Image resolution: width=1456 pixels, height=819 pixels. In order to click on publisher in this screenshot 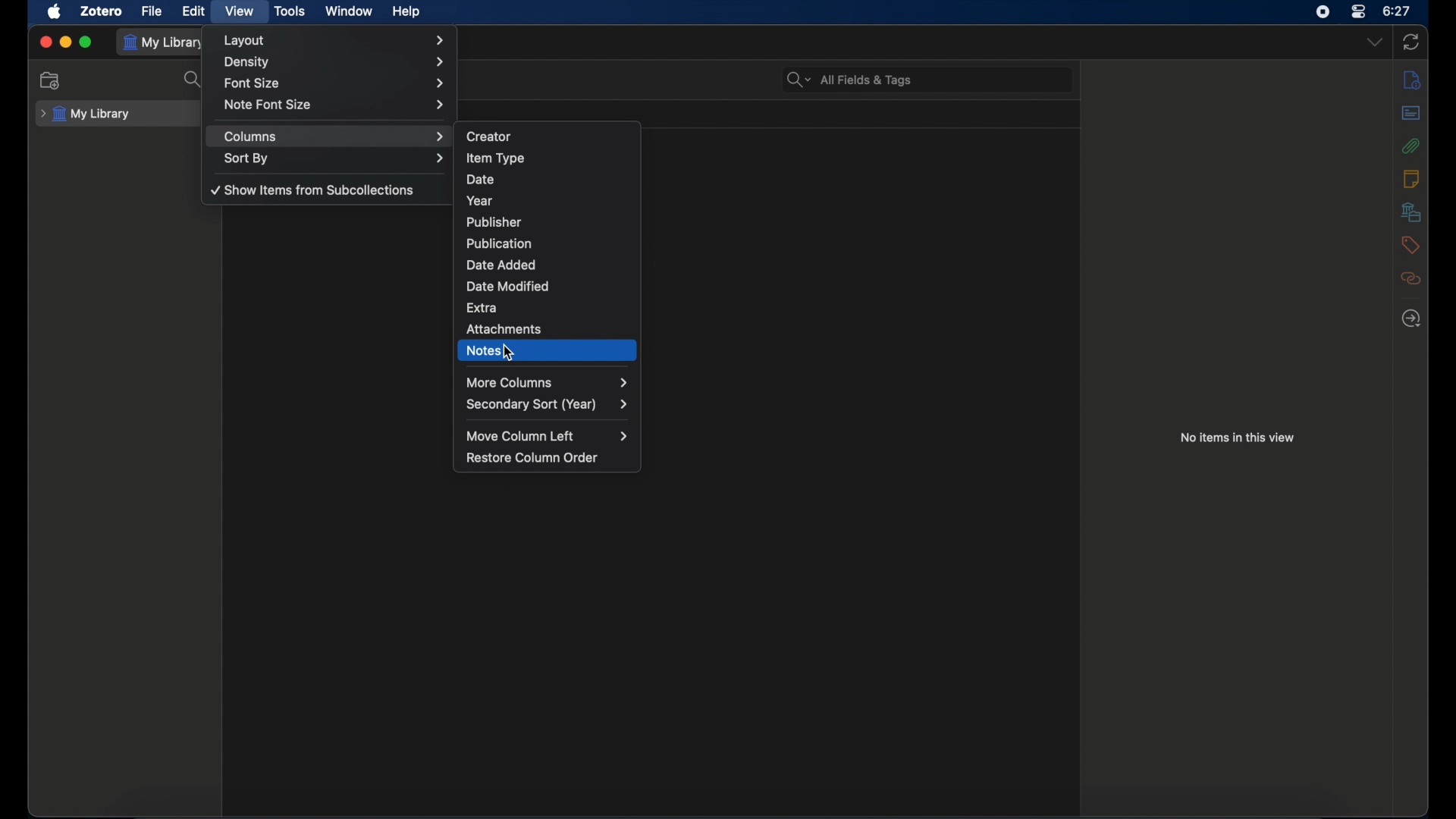, I will do `click(496, 222)`.